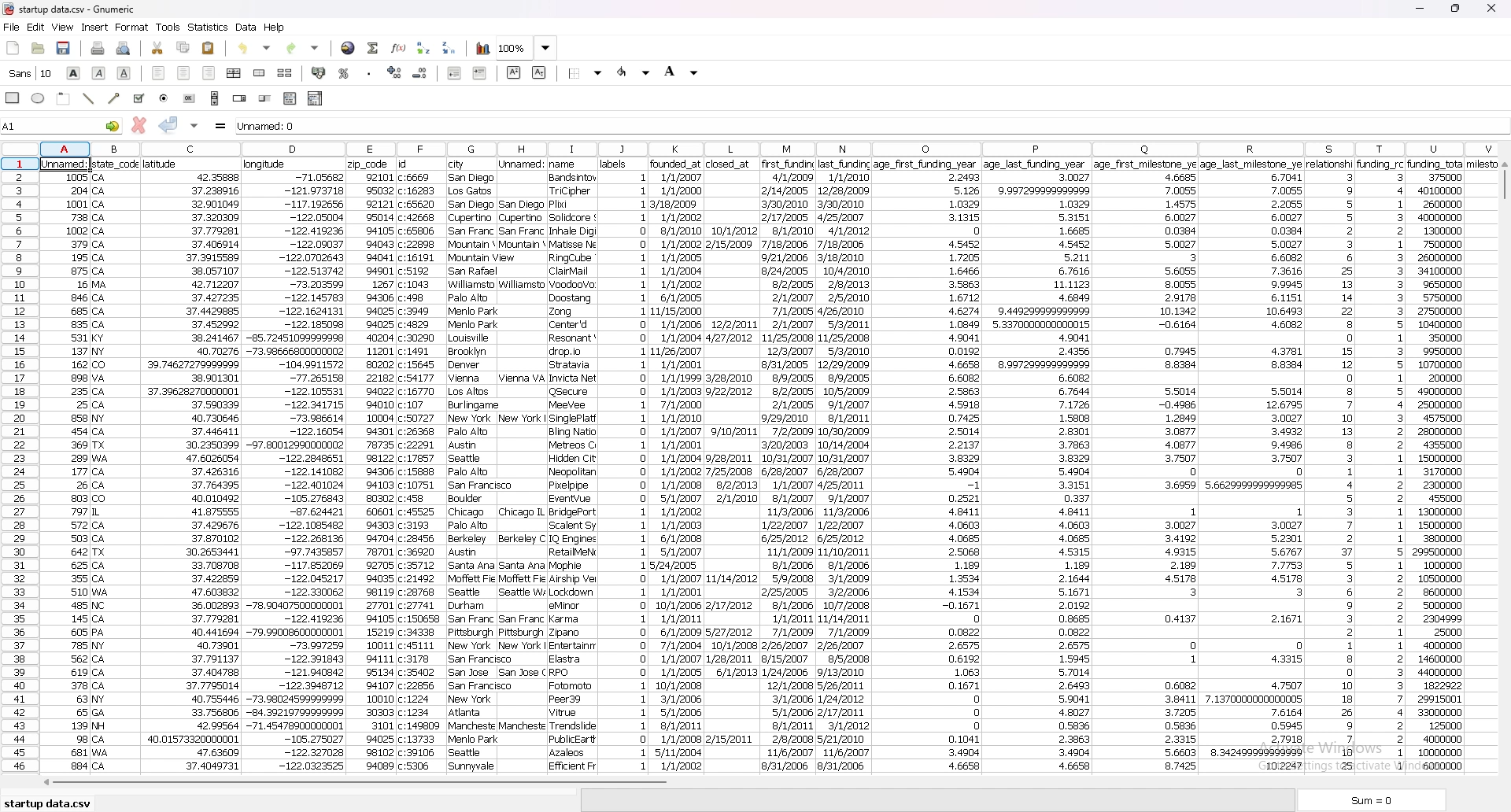  What do you see at coordinates (265, 98) in the screenshot?
I see `slider` at bounding box center [265, 98].